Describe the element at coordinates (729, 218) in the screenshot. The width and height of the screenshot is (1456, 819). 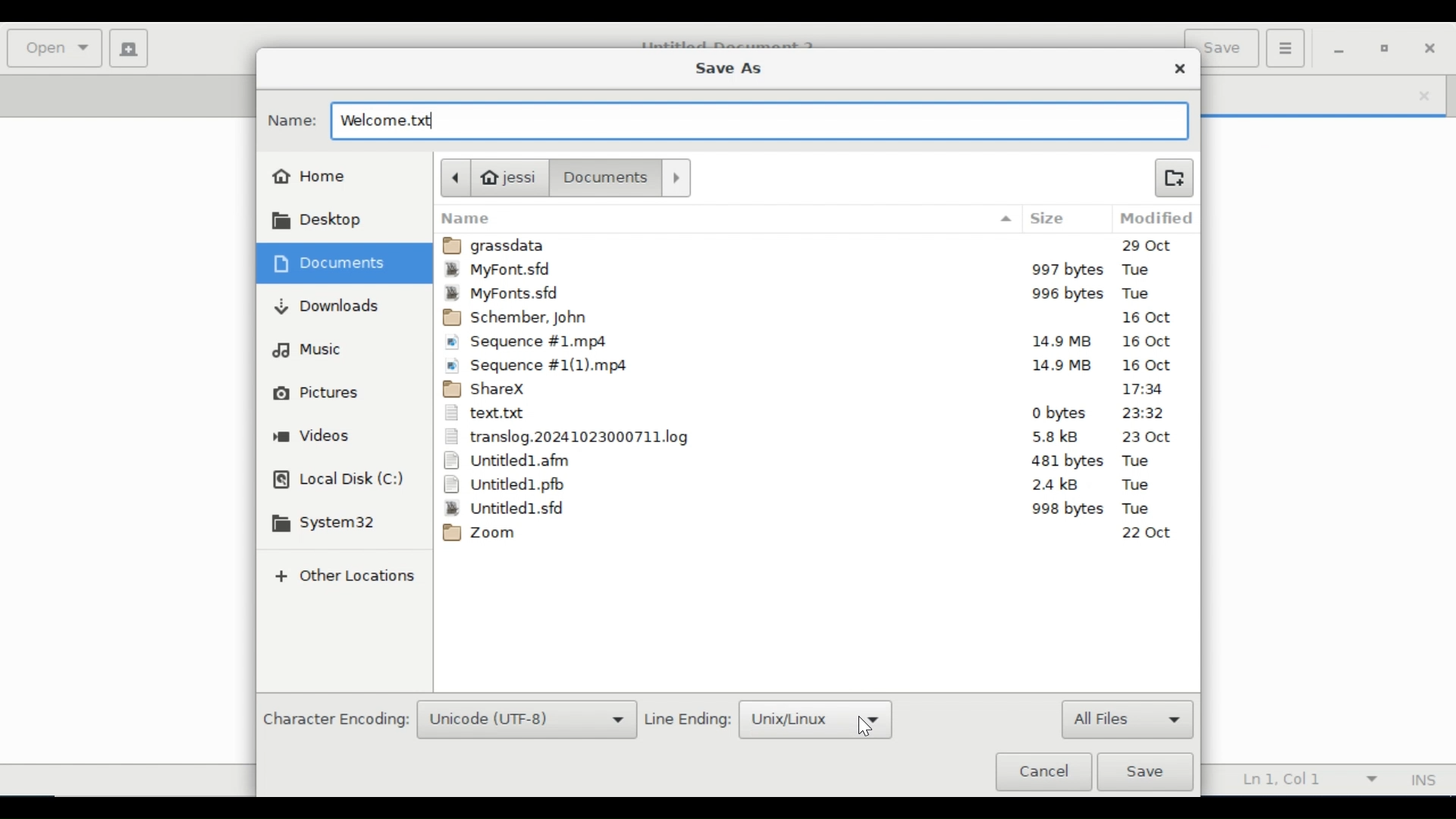
I see `Name` at that location.